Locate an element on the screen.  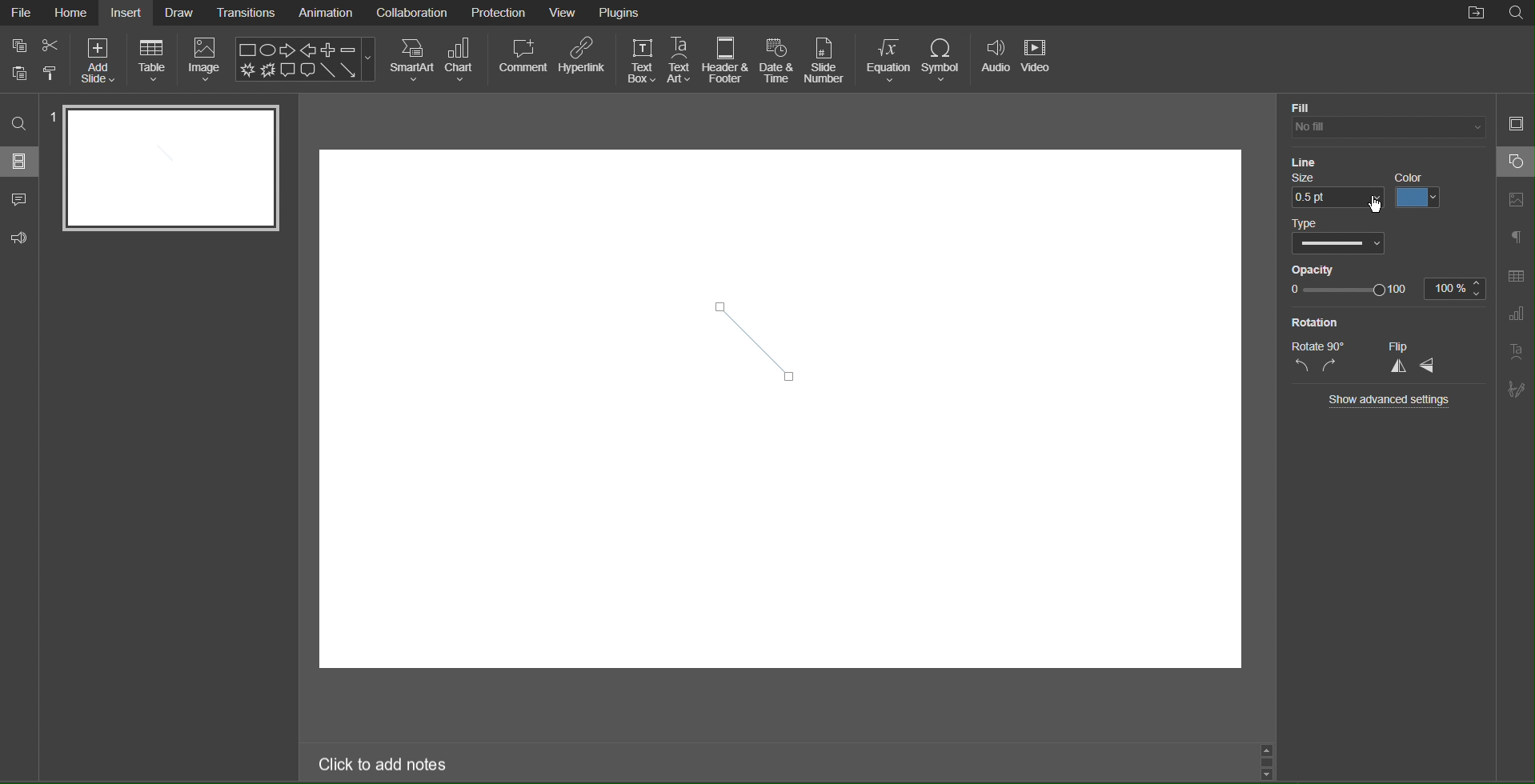
Copy style is located at coordinates (52, 72).